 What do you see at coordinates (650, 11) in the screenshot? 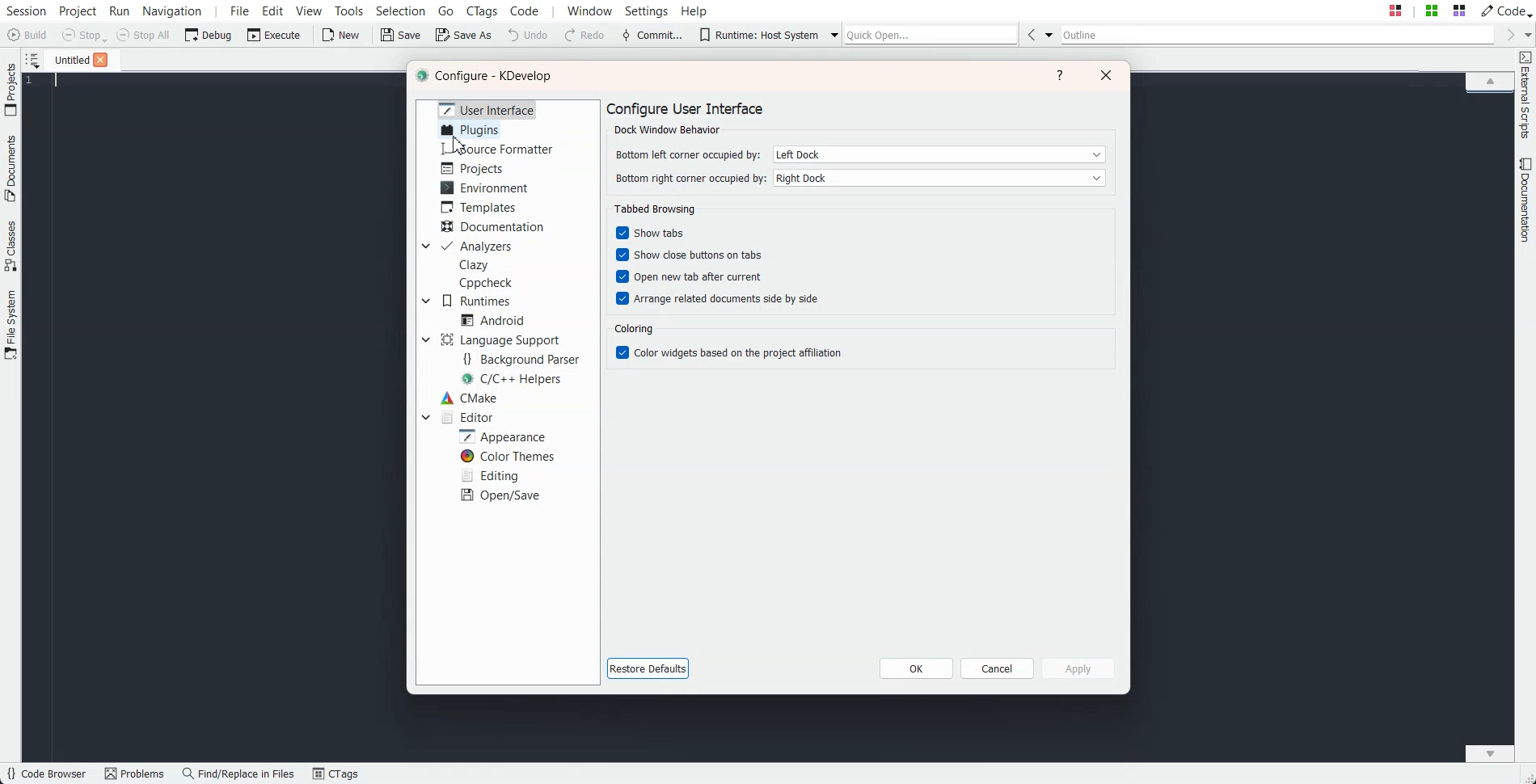
I see `Settings` at bounding box center [650, 11].